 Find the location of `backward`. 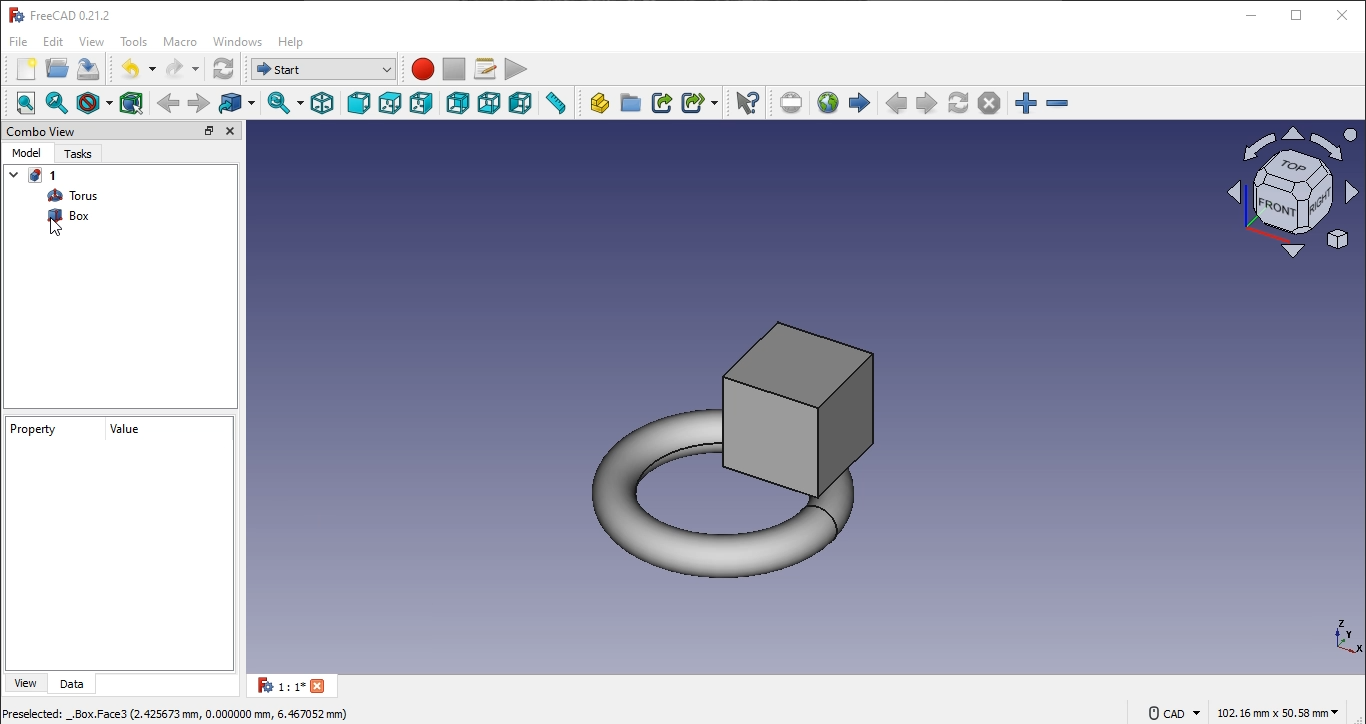

backward is located at coordinates (169, 102).